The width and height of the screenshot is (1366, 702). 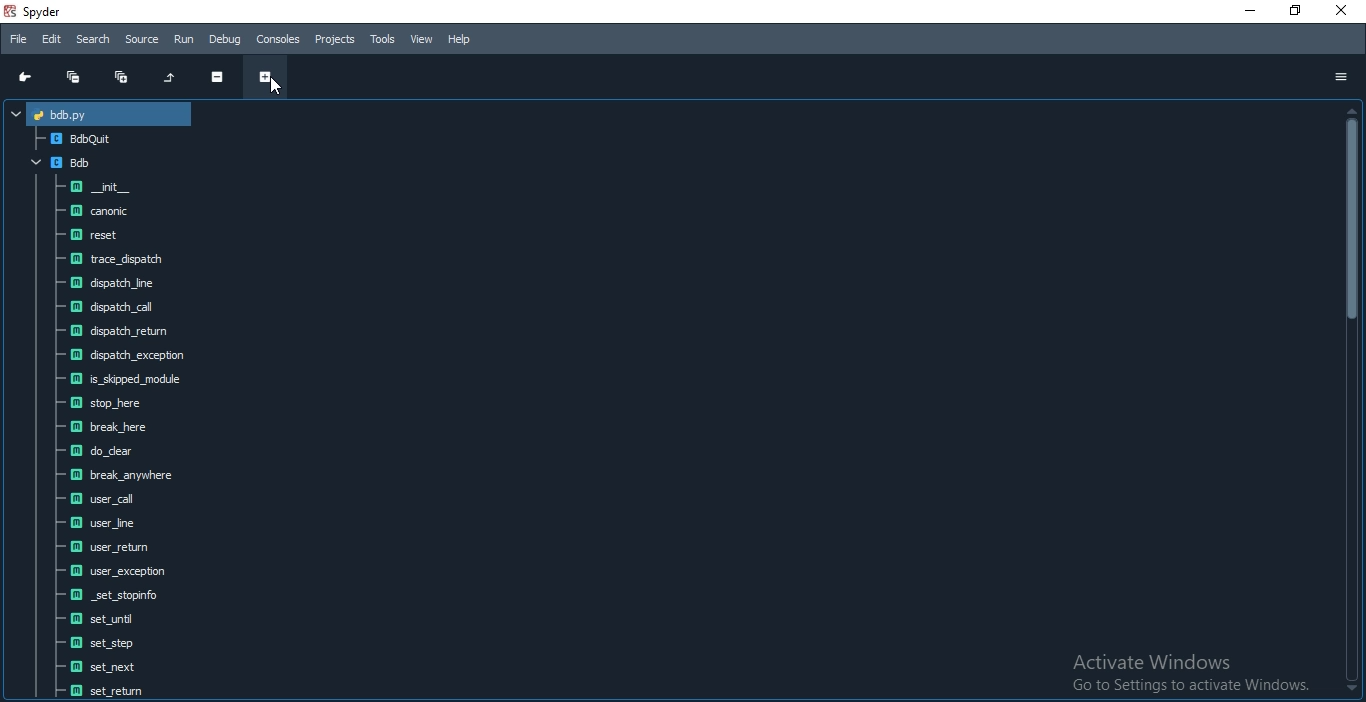 What do you see at coordinates (460, 39) in the screenshot?
I see `Help` at bounding box center [460, 39].